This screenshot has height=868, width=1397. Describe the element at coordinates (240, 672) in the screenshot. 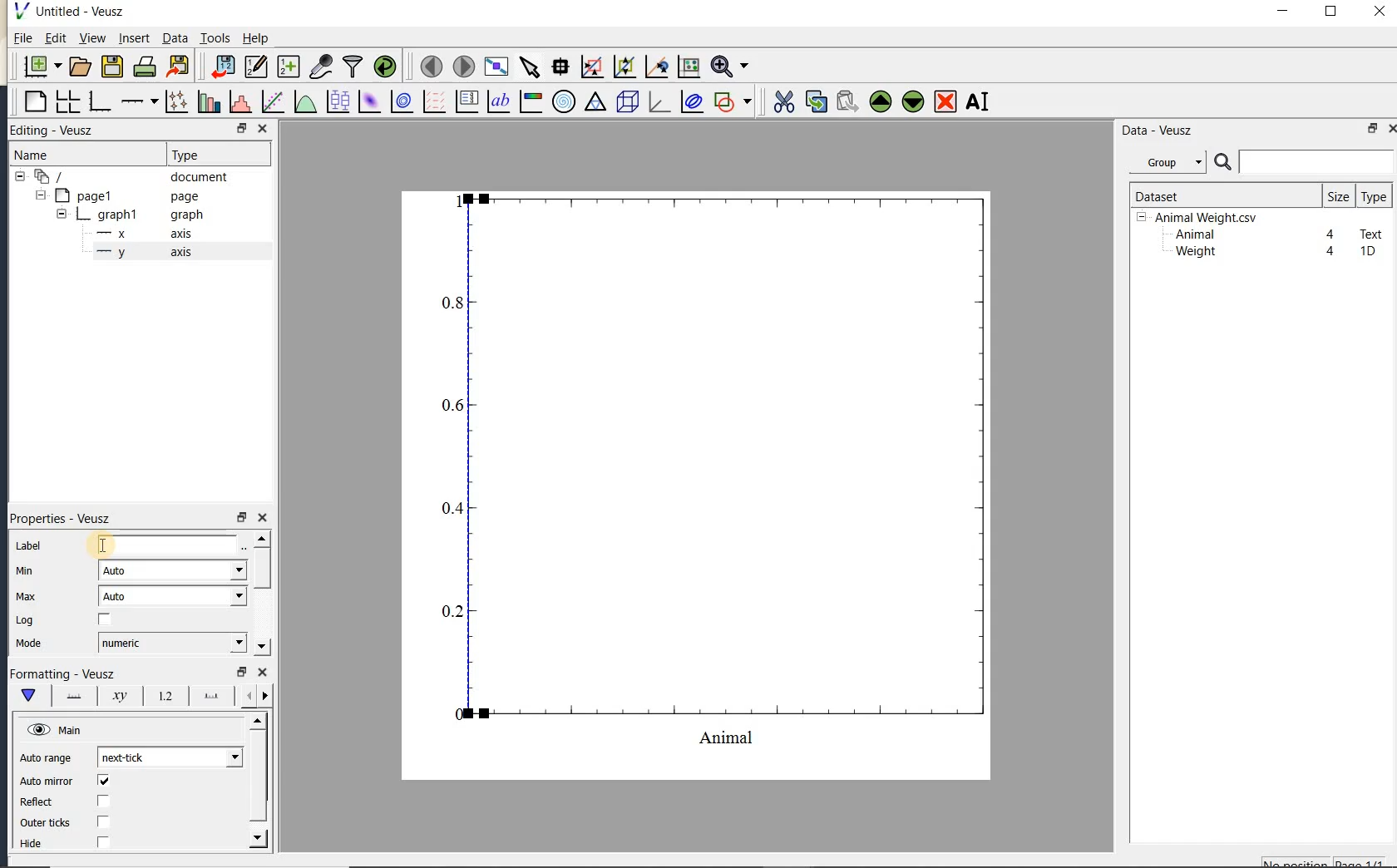

I see `restore` at that location.